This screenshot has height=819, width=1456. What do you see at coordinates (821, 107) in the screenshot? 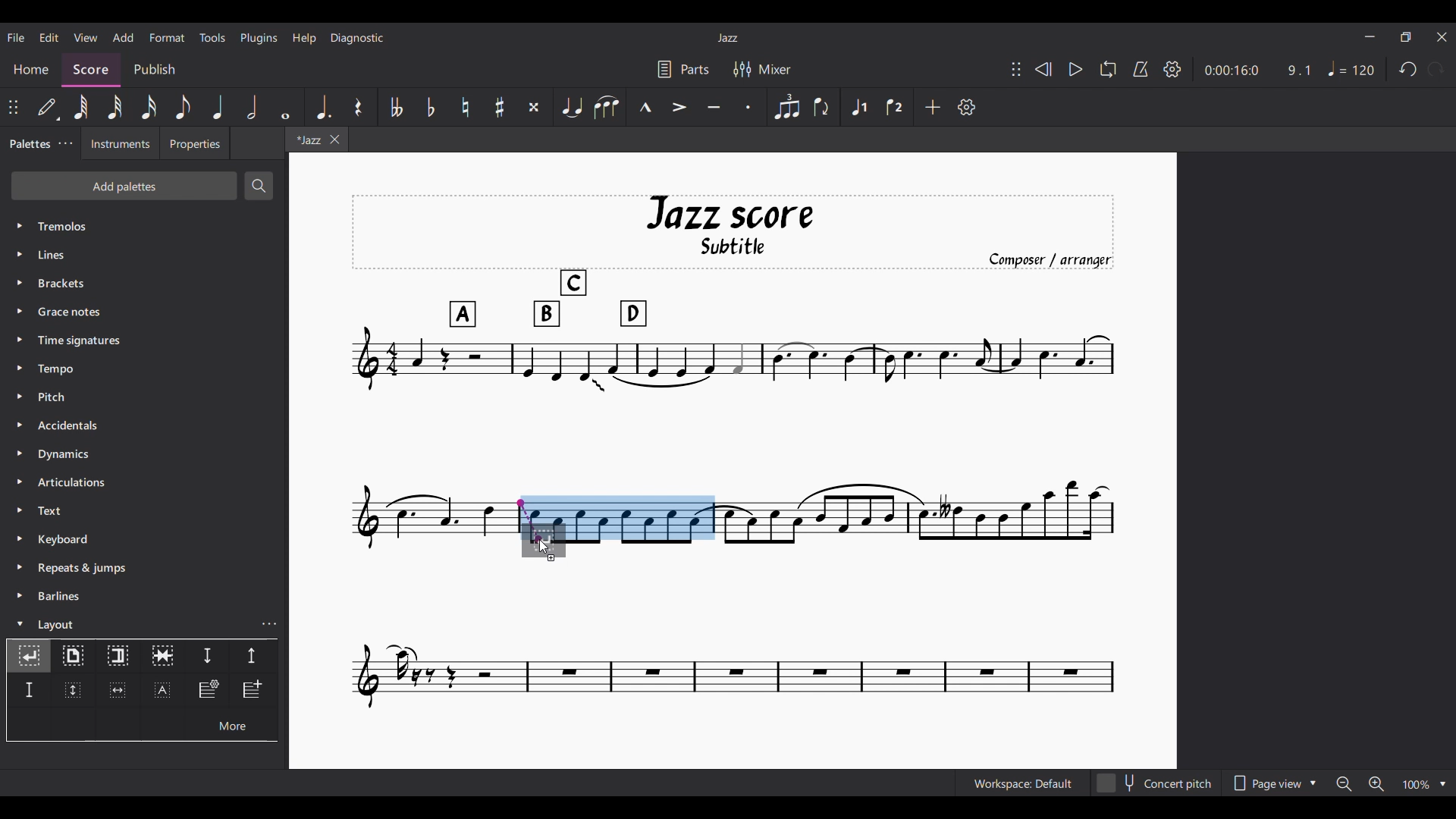
I see `Flip direction` at bounding box center [821, 107].